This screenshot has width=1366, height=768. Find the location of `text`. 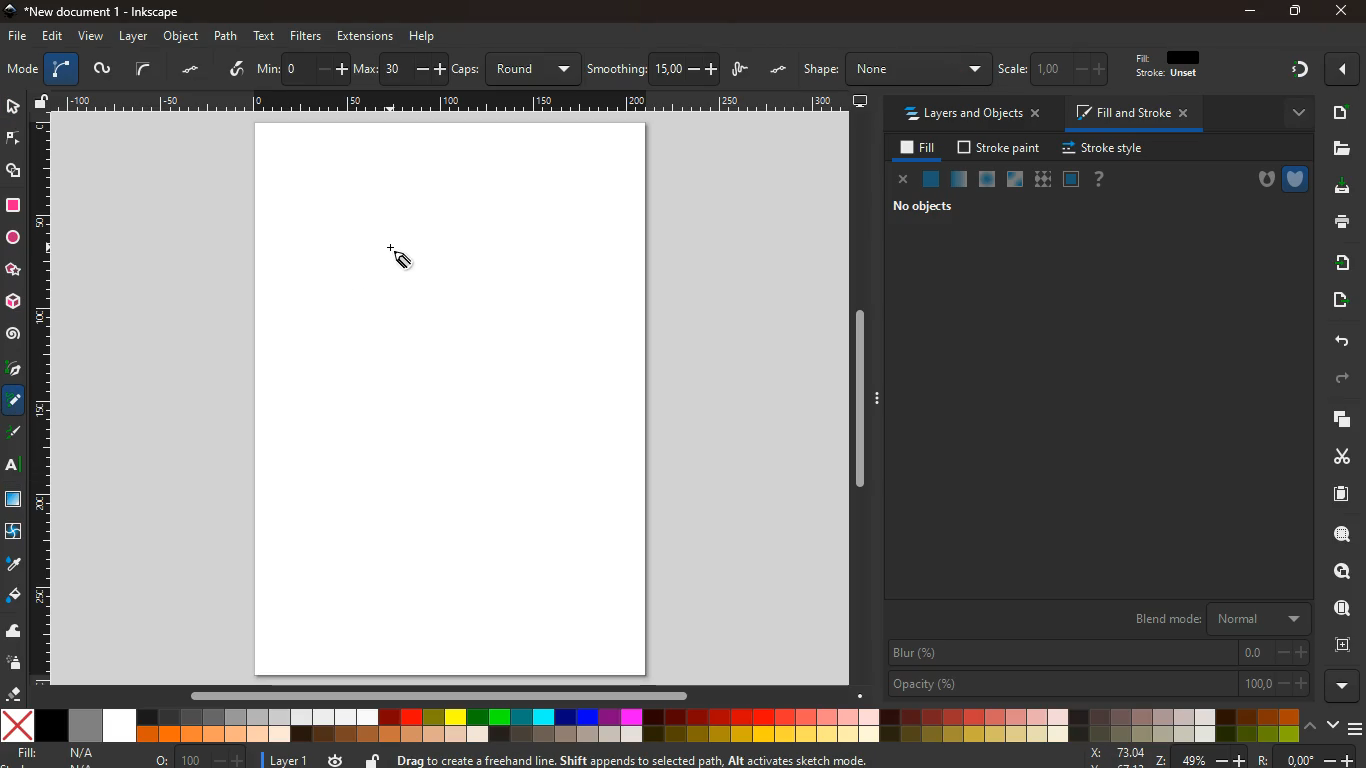

text is located at coordinates (14, 468).